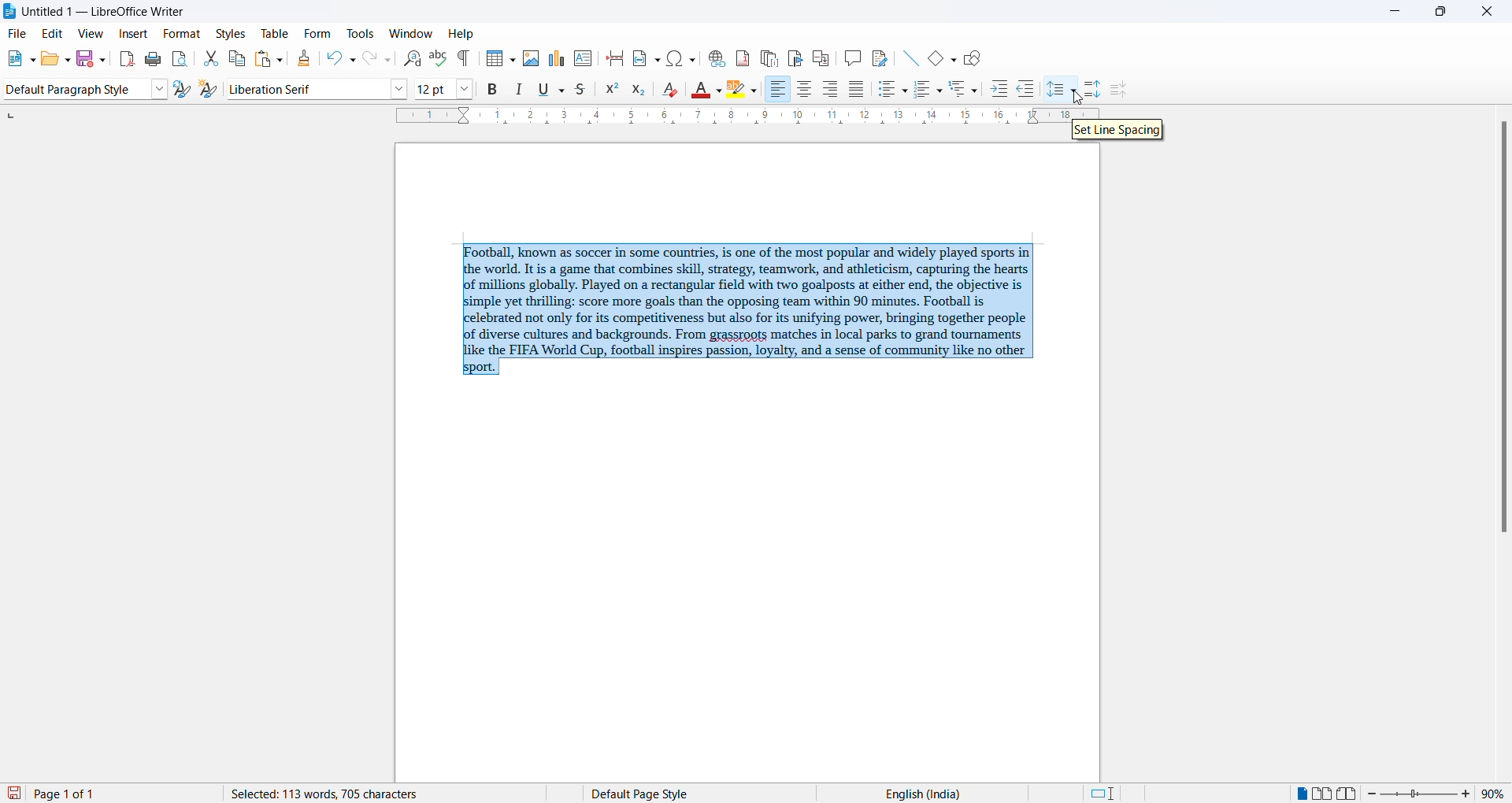 This screenshot has height=803, width=1512. Describe the element at coordinates (533, 60) in the screenshot. I see `insert images` at that location.